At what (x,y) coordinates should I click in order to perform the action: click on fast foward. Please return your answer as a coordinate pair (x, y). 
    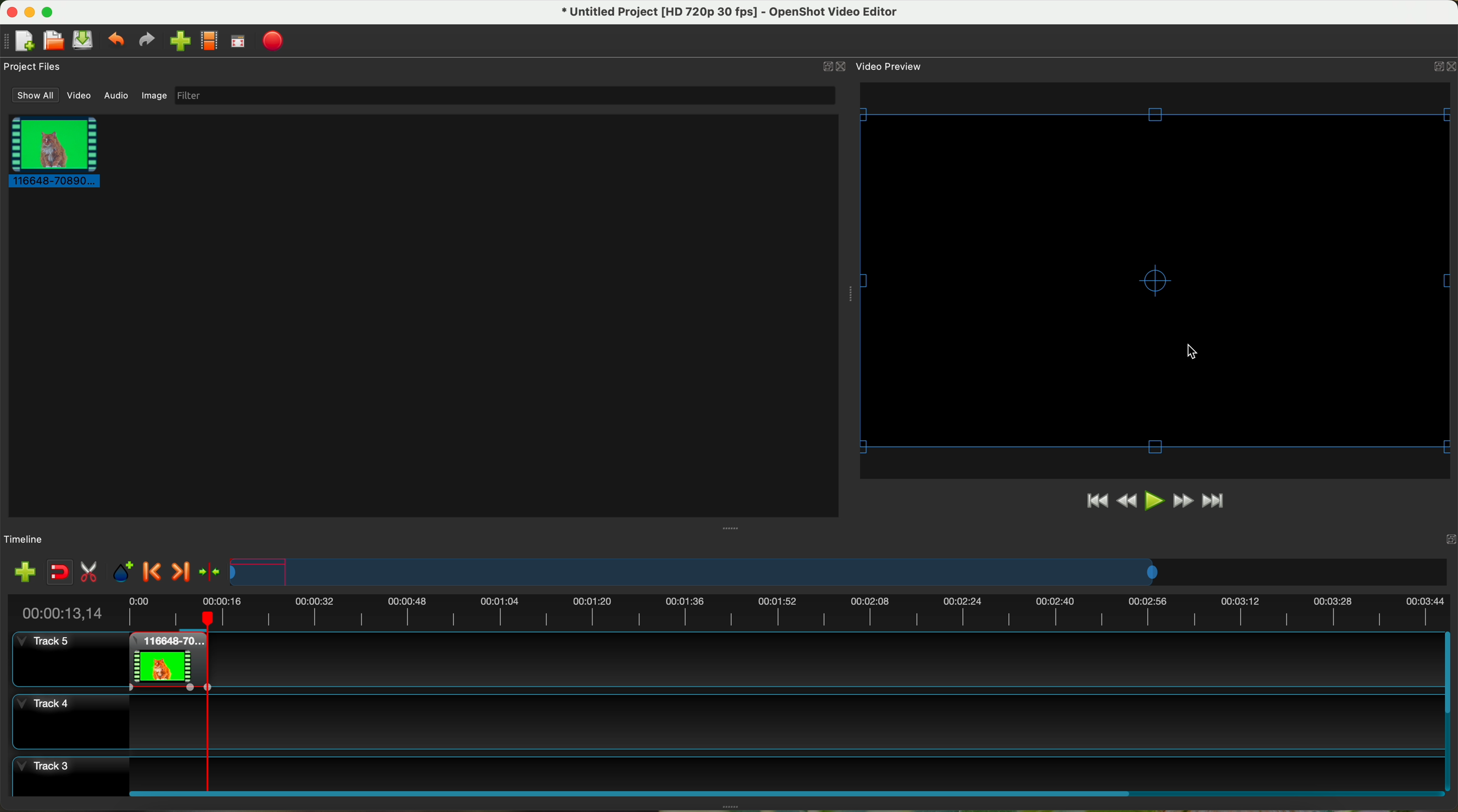
    Looking at the image, I should click on (1186, 501).